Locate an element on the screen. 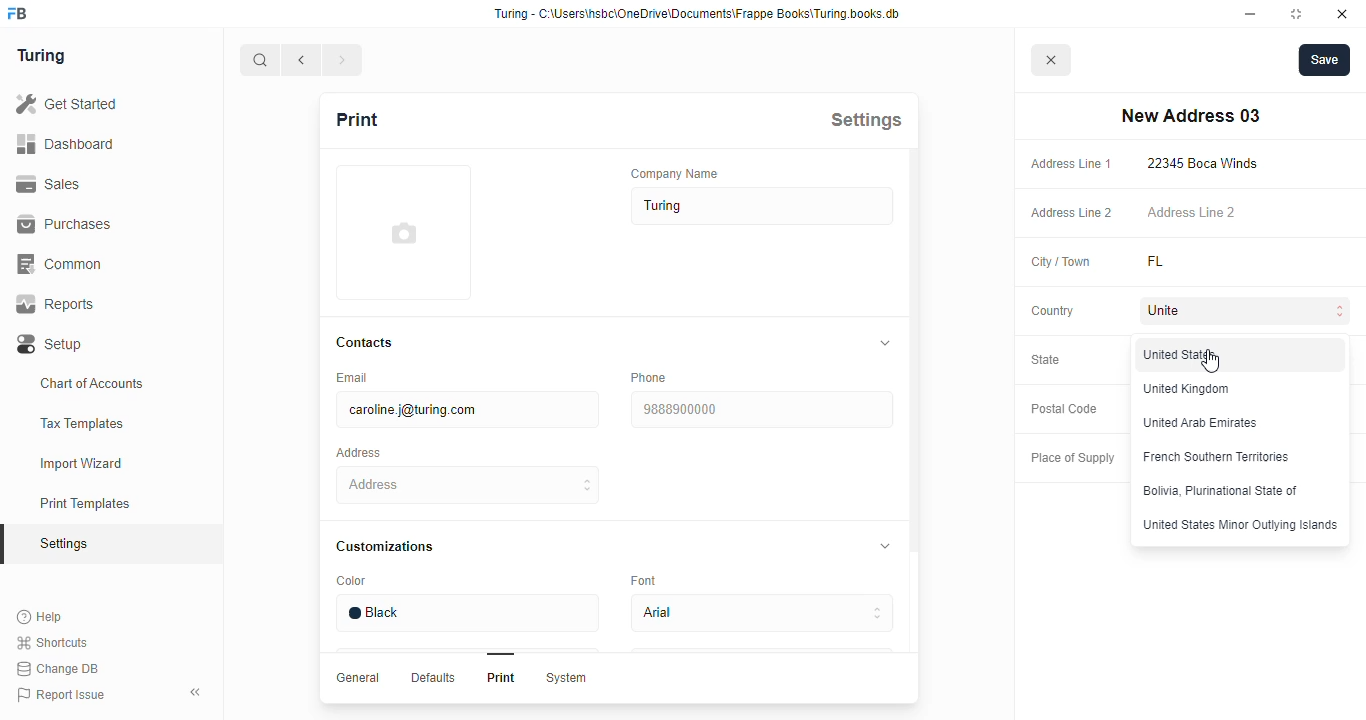 The width and height of the screenshot is (1366, 720). General is located at coordinates (358, 677).